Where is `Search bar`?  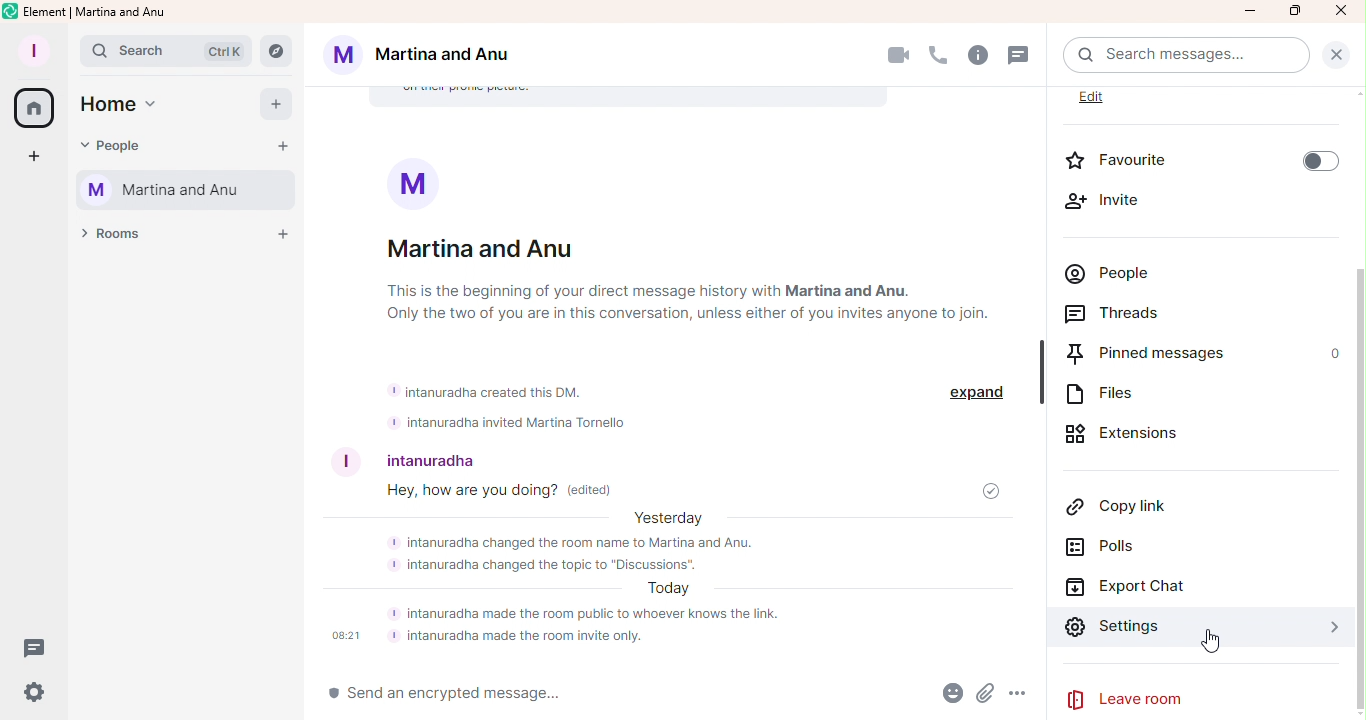
Search bar is located at coordinates (1189, 55).